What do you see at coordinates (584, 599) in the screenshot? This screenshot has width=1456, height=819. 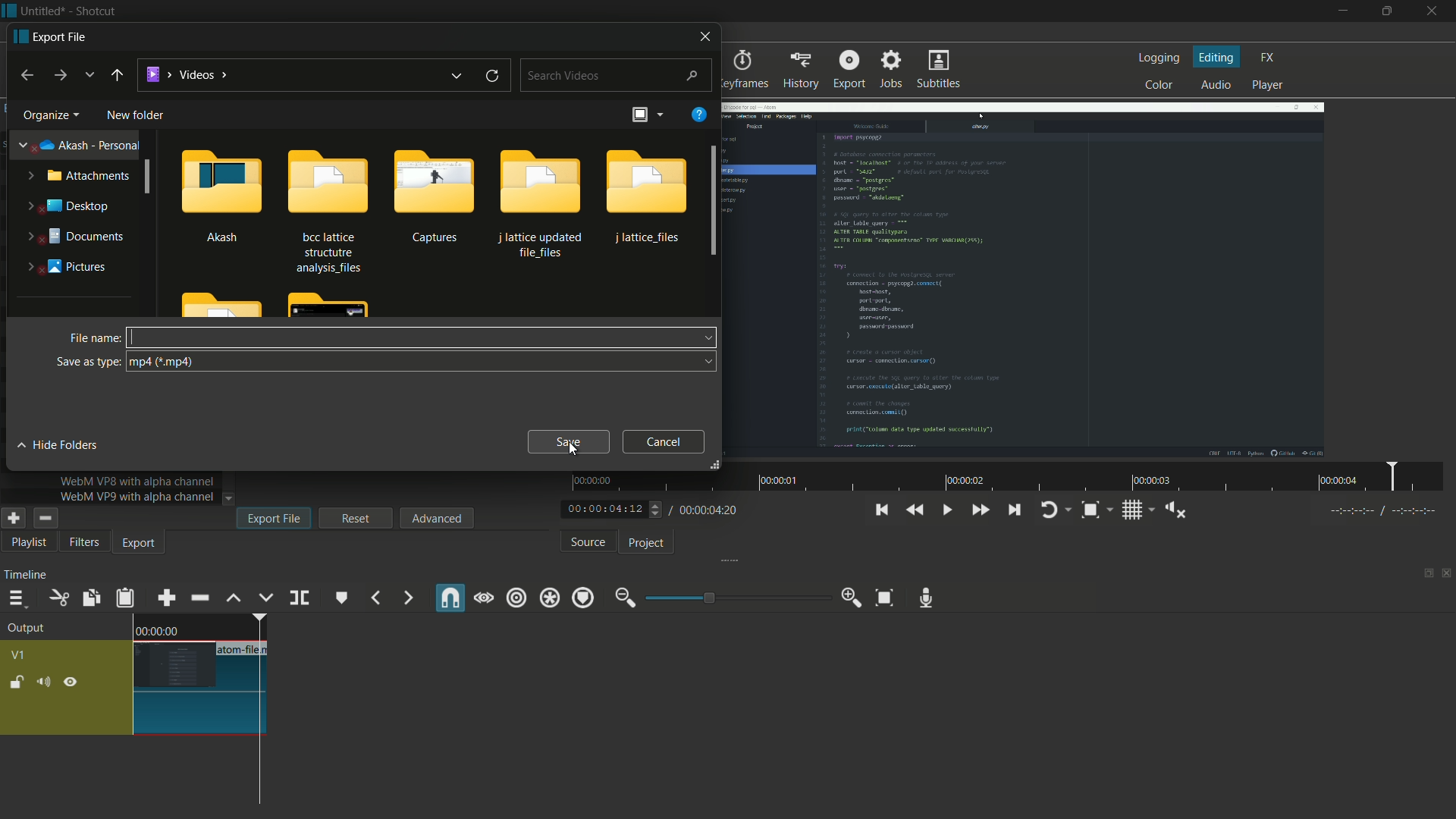 I see `ripple markers` at bounding box center [584, 599].